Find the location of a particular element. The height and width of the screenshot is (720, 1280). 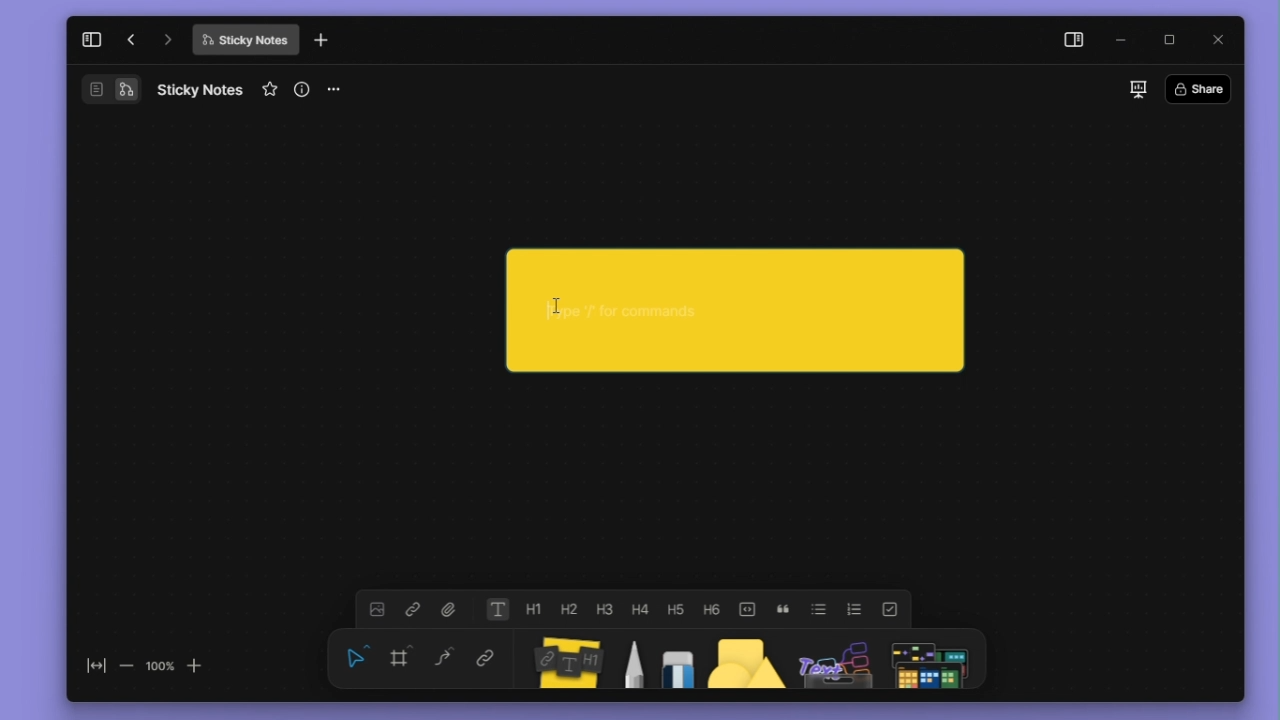

Share  is located at coordinates (1198, 89).